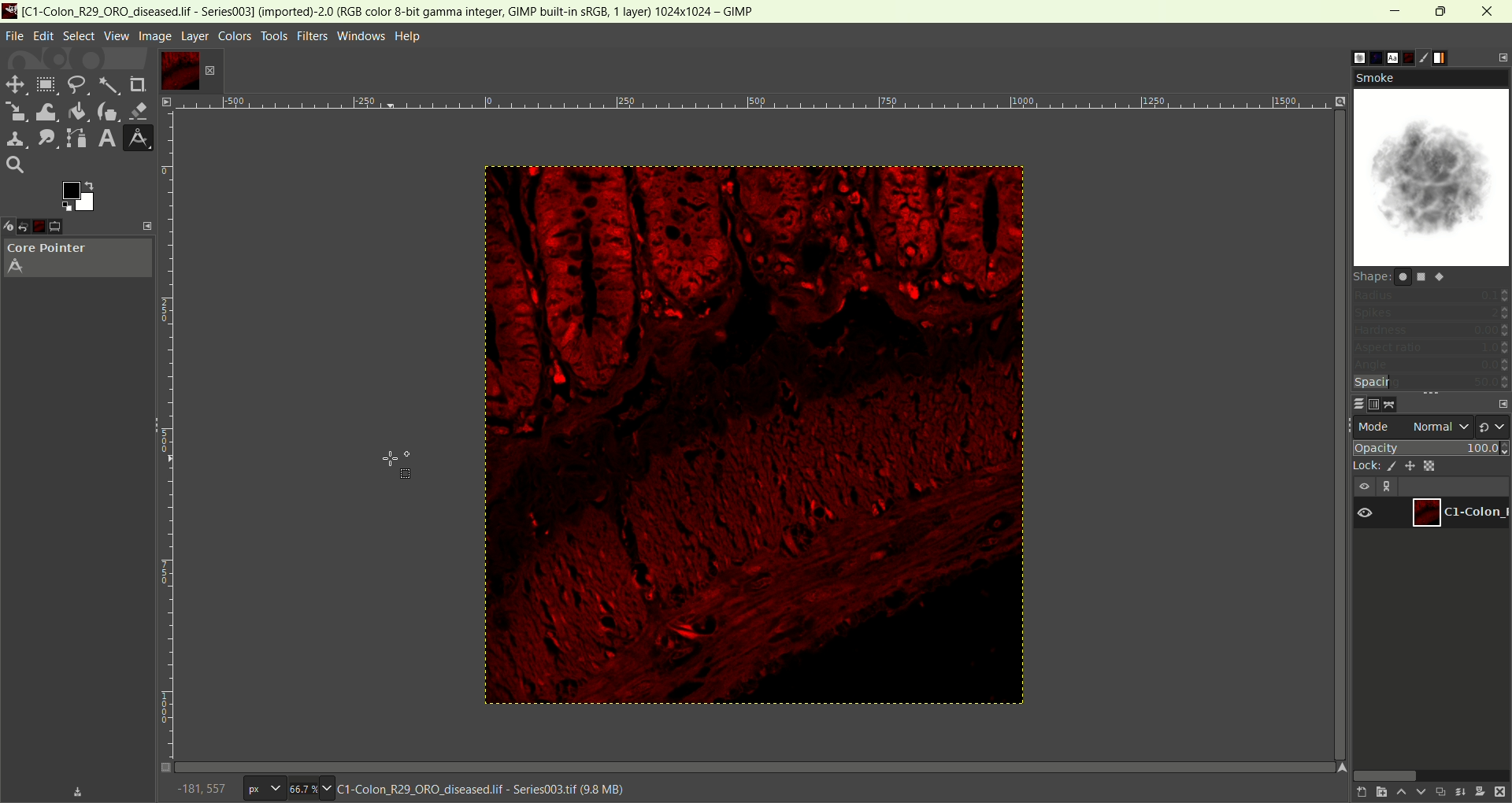 This screenshot has width=1512, height=803. Describe the element at coordinates (773, 764) in the screenshot. I see `Horizontal scroll bar` at that location.